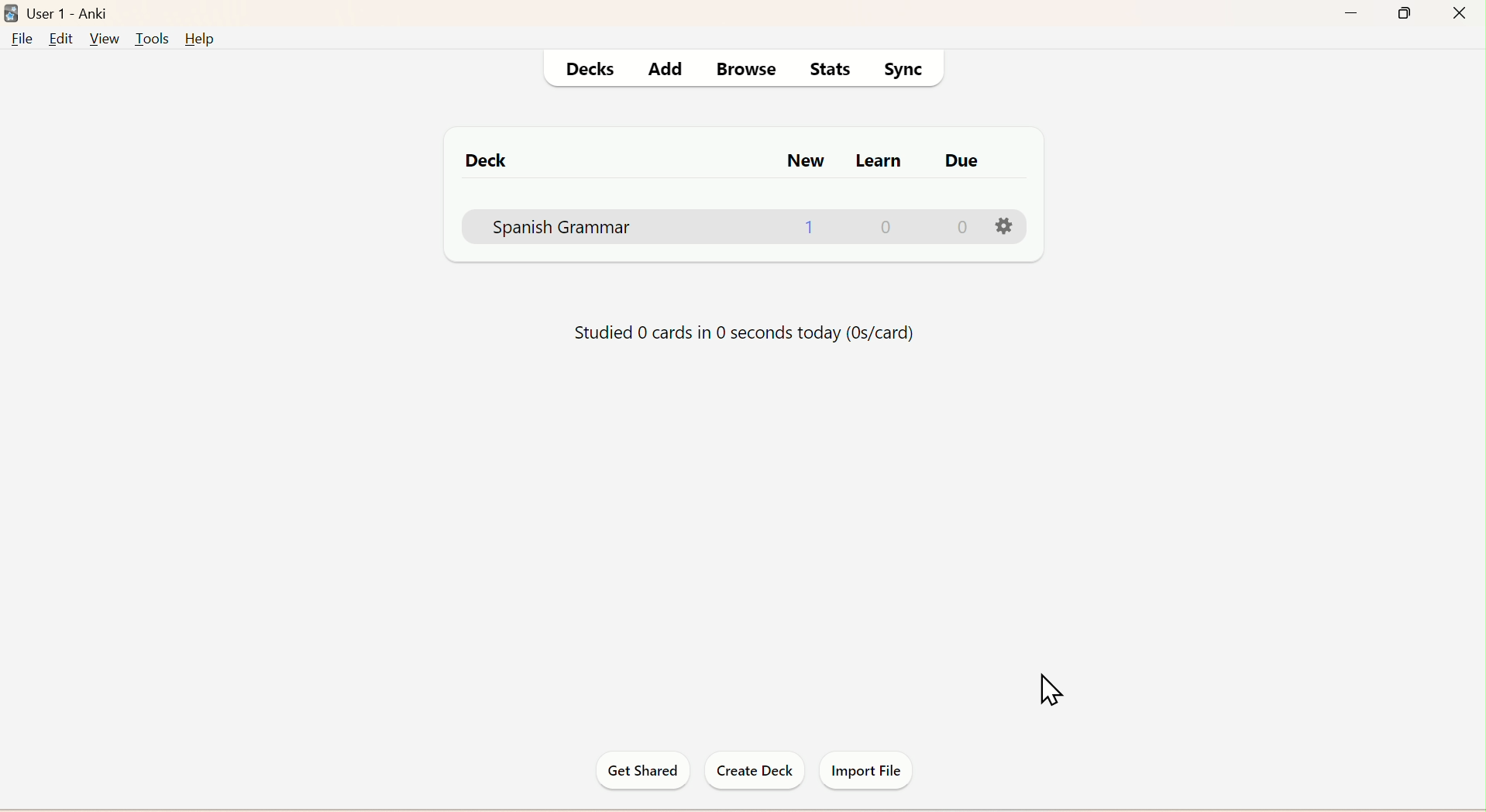 The width and height of the screenshot is (1486, 812). Describe the element at coordinates (750, 771) in the screenshot. I see `Create Deck` at that location.